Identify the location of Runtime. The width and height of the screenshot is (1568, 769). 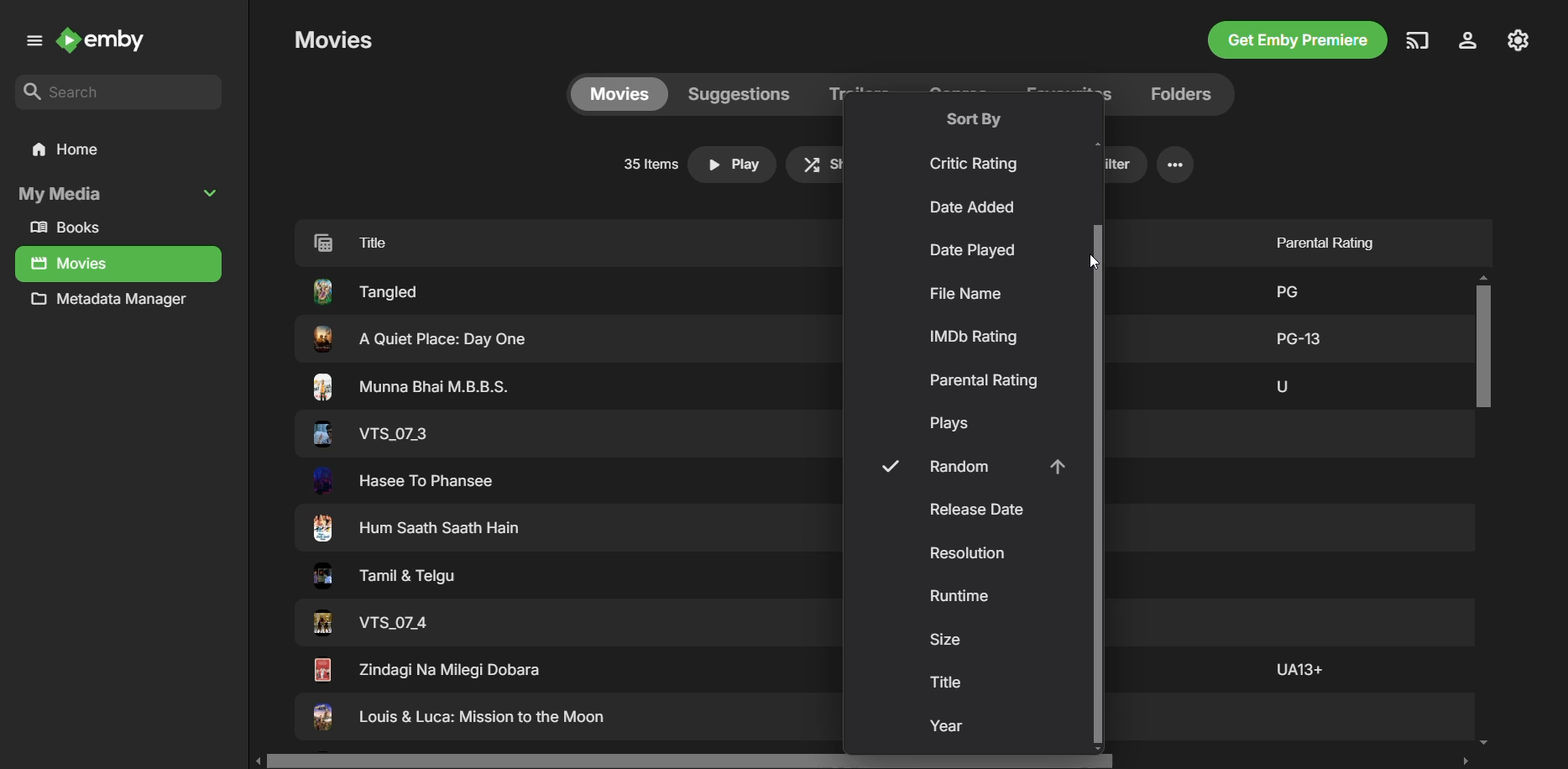
(961, 599).